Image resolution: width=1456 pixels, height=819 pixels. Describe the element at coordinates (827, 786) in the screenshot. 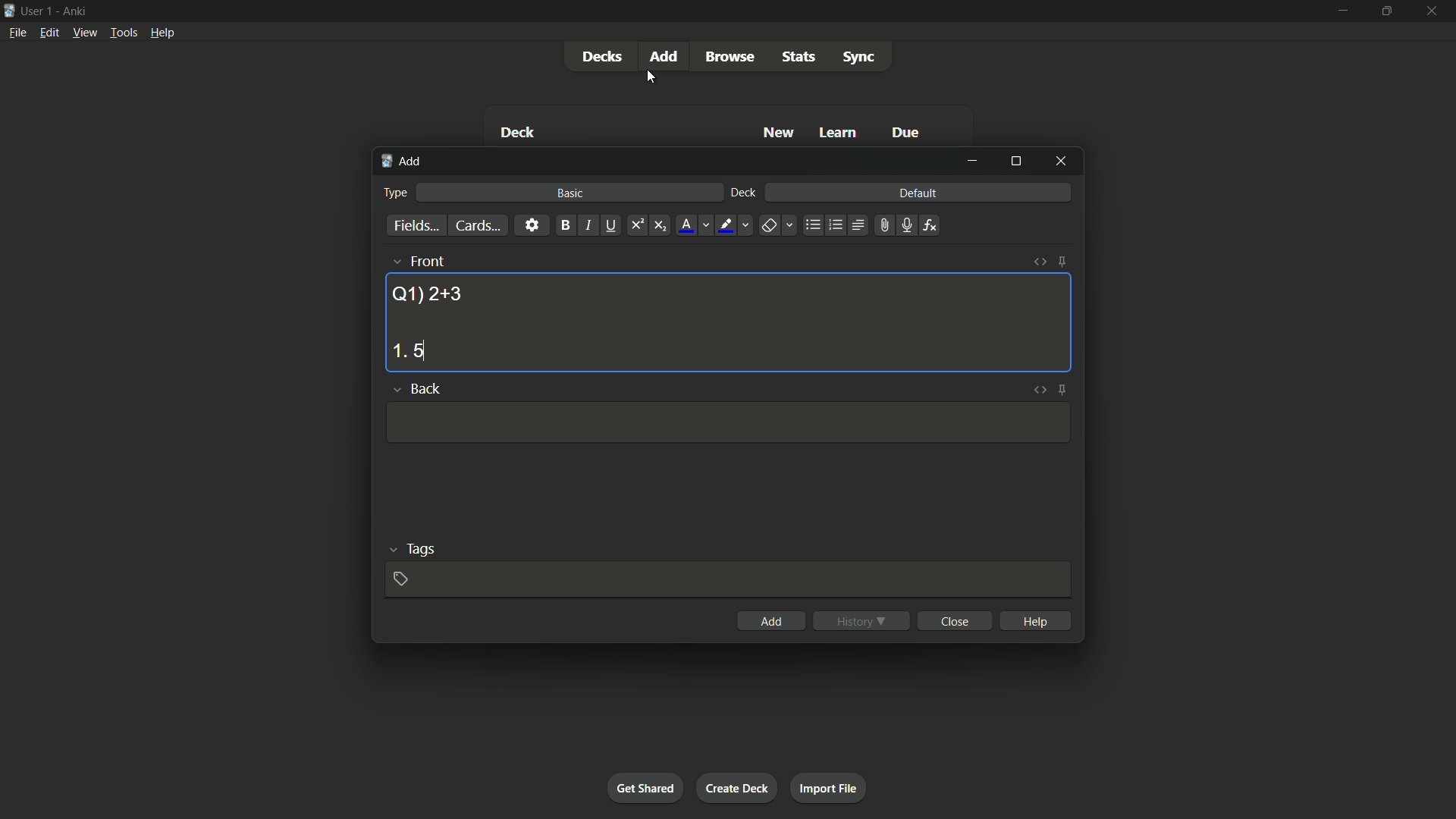

I see `import file` at that location.